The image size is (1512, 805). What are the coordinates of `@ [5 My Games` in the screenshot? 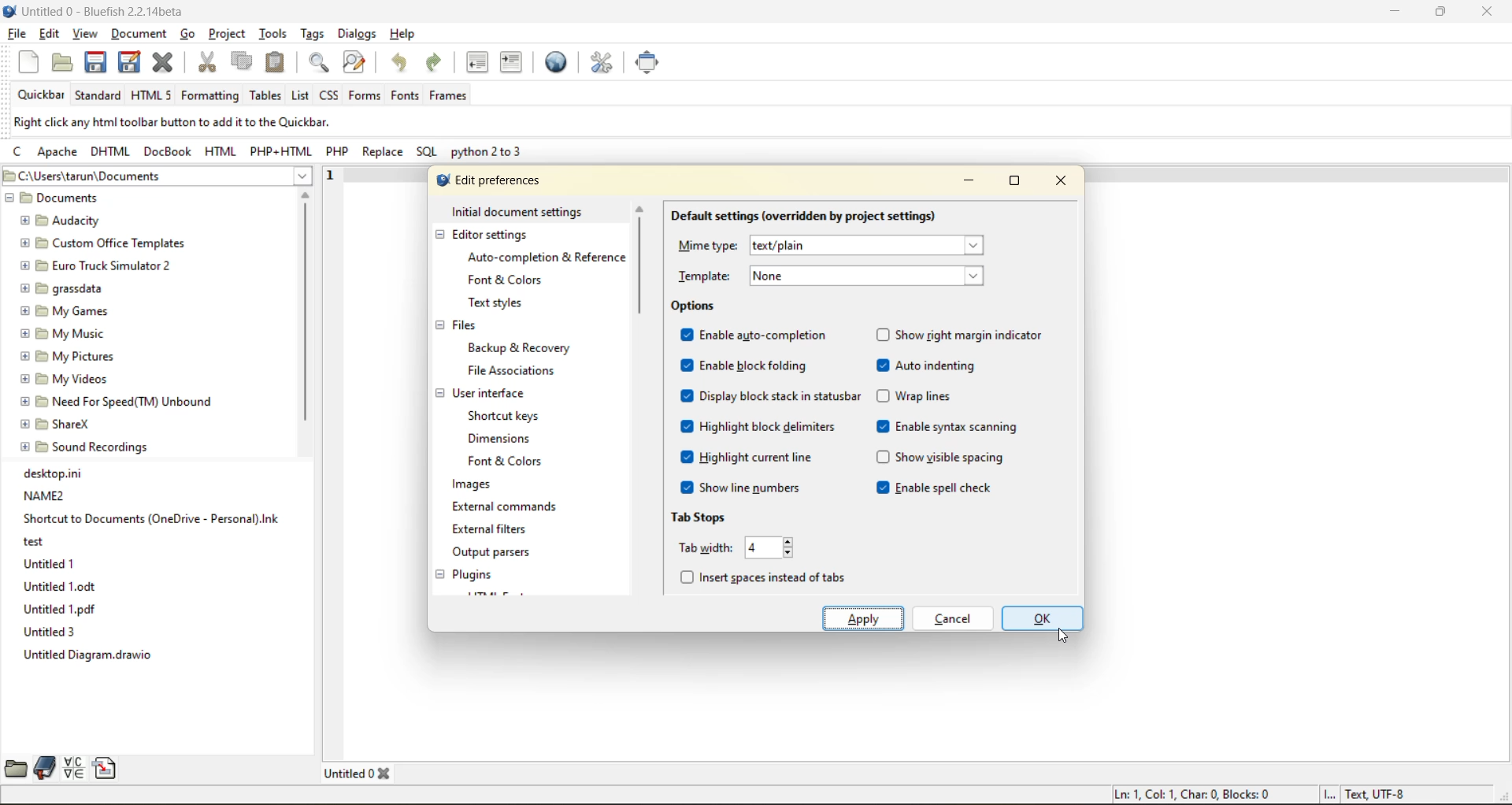 It's located at (62, 310).